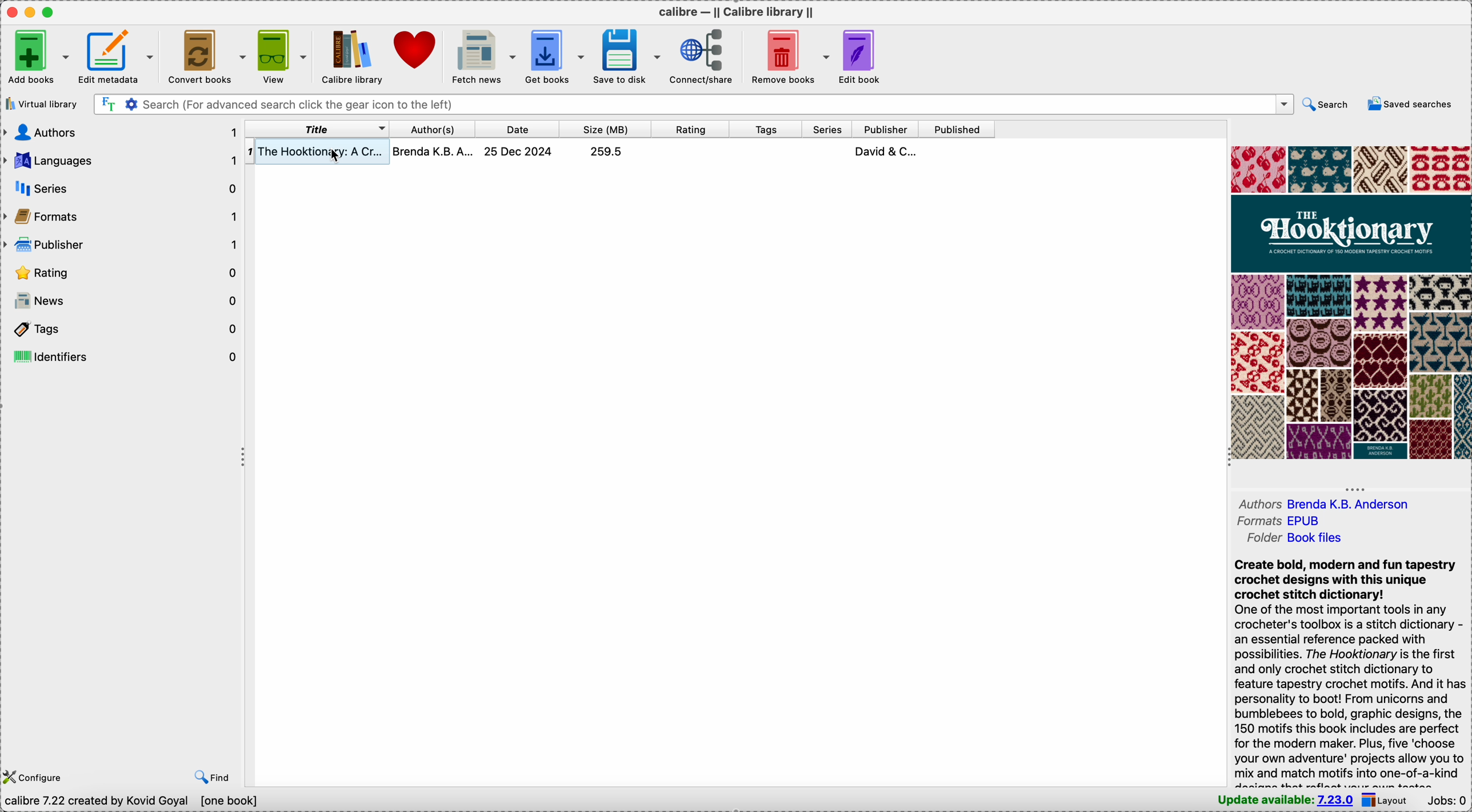 This screenshot has height=812, width=1472. Describe the element at coordinates (315, 128) in the screenshot. I see `title` at that location.